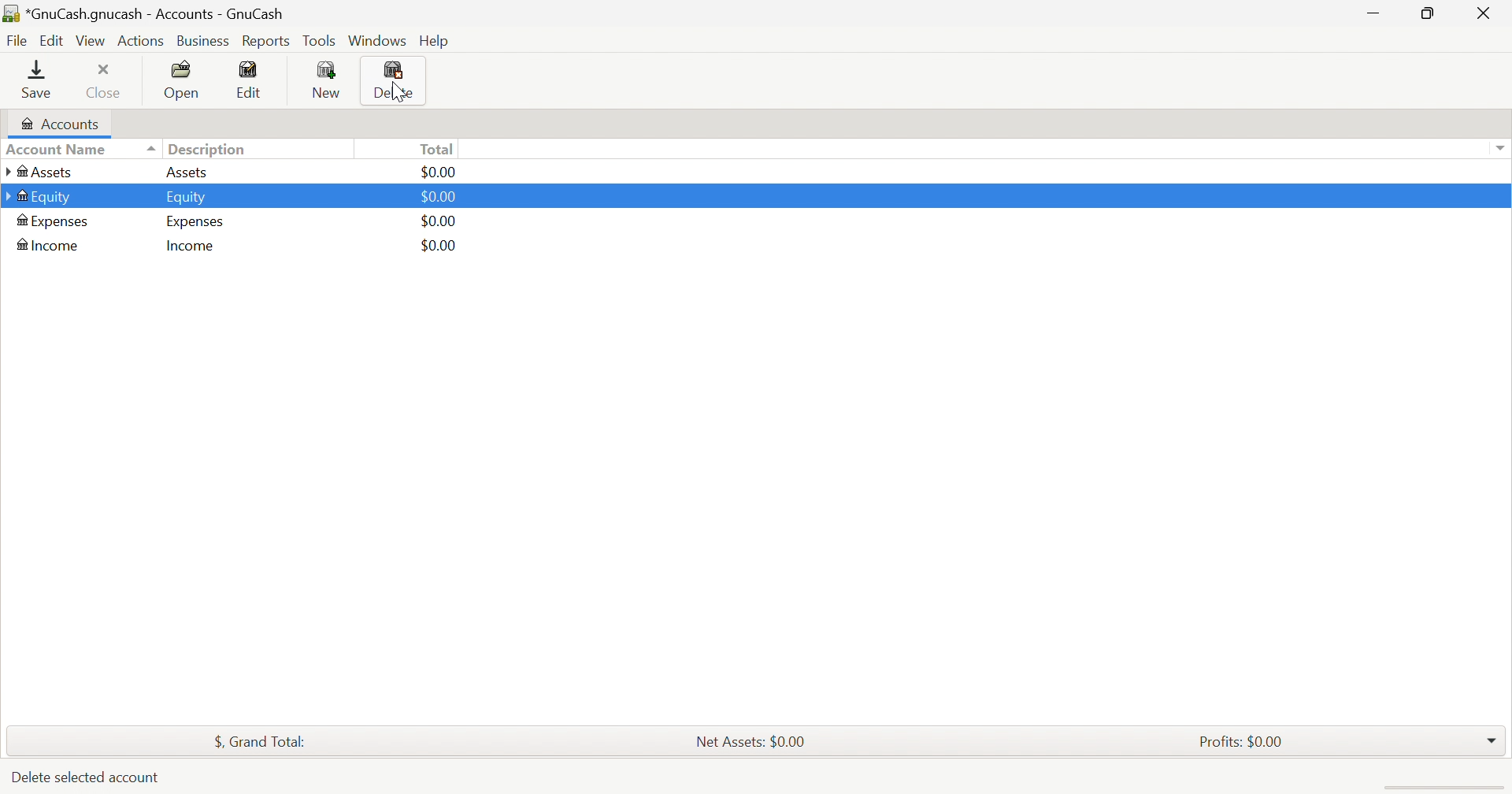 Image resolution: width=1512 pixels, height=794 pixels. I want to click on Windows, so click(380, 42).